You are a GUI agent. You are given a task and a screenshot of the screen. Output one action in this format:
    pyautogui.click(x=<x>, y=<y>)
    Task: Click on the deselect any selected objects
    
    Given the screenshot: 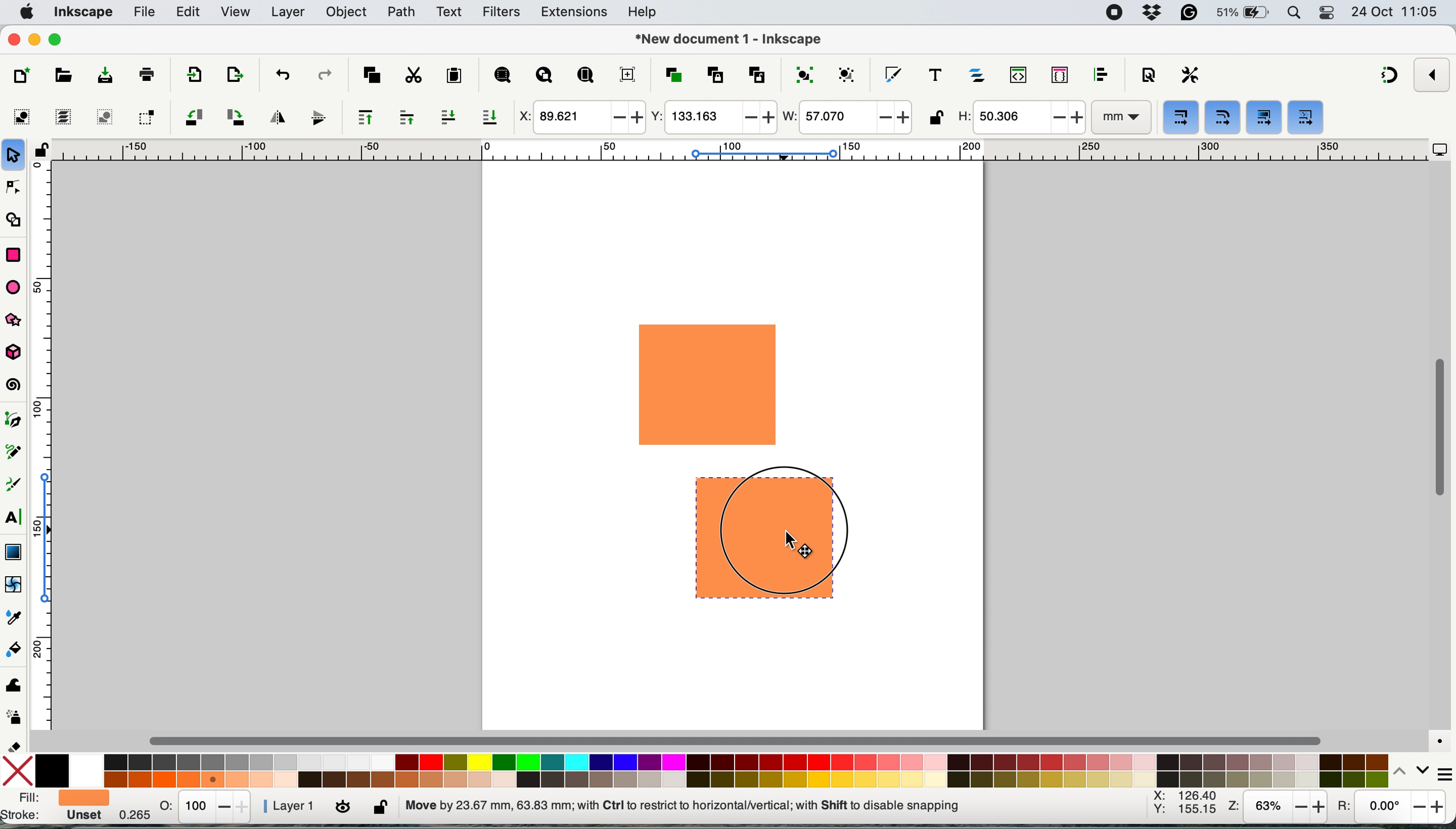 What is the action you would take?
    pyautogui.click(x=103, y=117)
    